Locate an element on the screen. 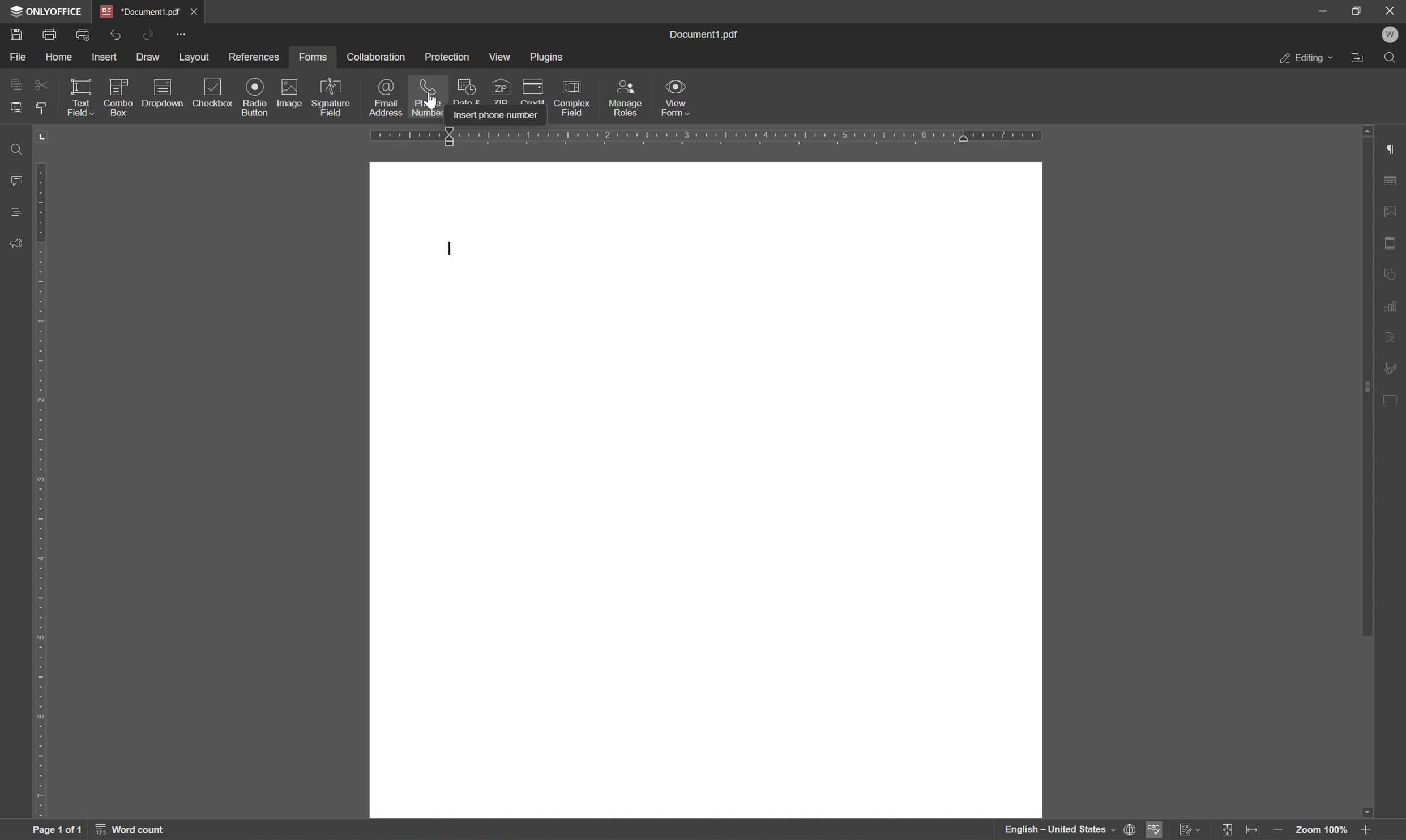 The image size is (1406, 840). close is located at coordinates (1391, 10).